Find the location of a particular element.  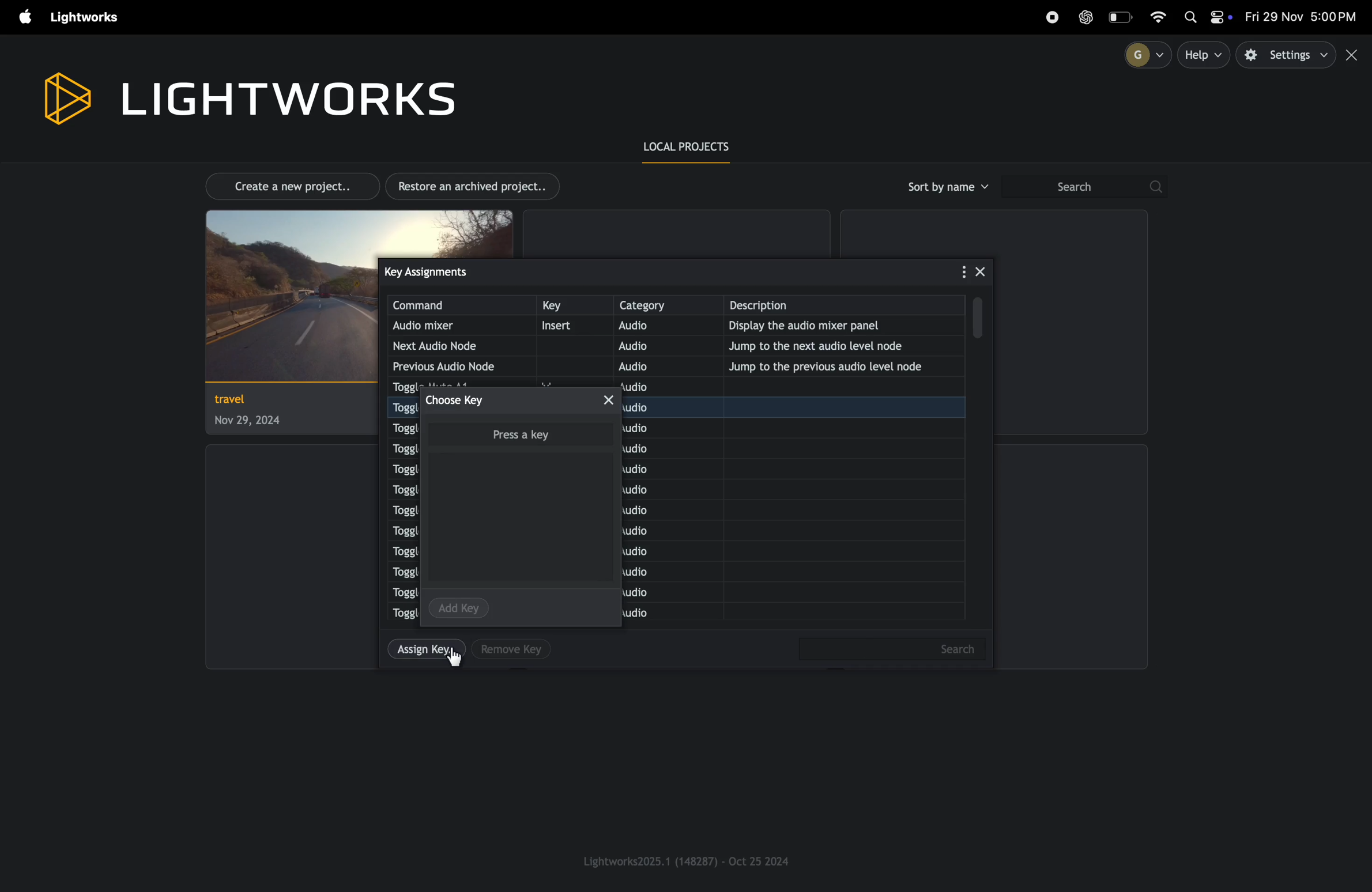

create new project is located at coordinates (286, 185).